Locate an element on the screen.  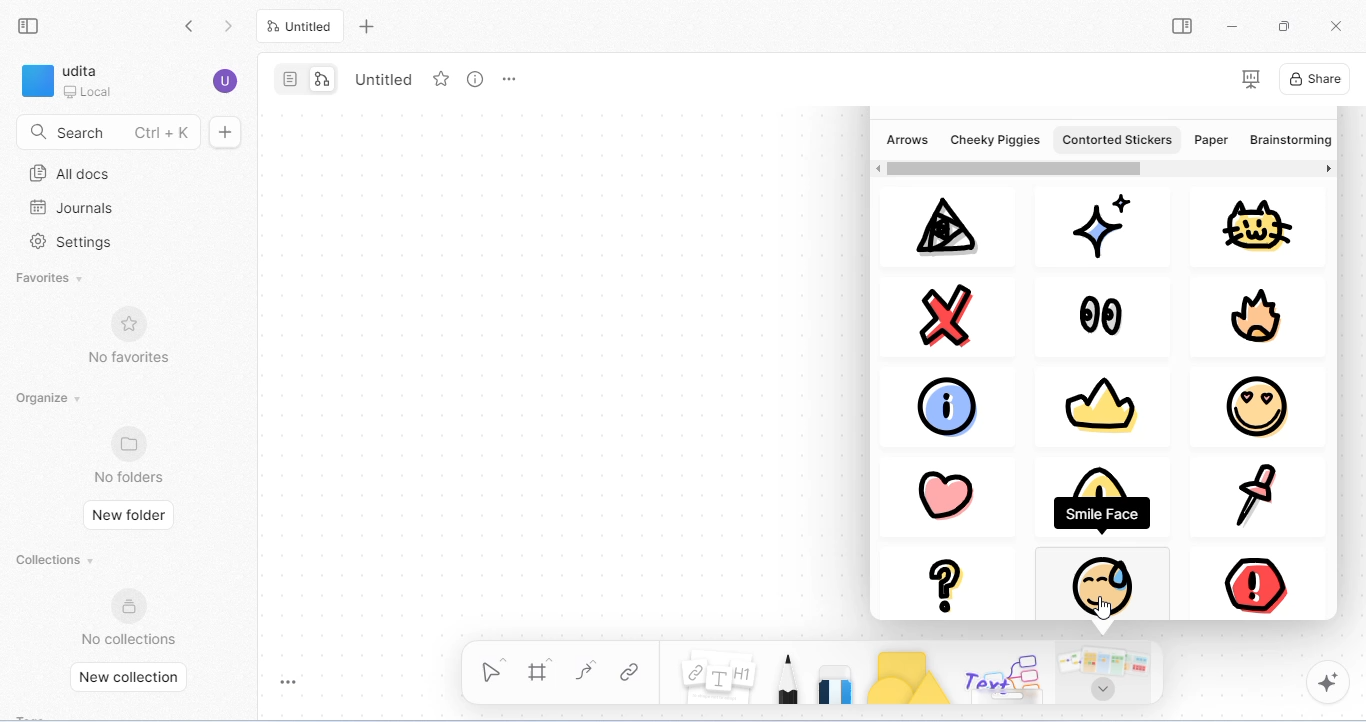
paper is located at coordinates (1211, 139).